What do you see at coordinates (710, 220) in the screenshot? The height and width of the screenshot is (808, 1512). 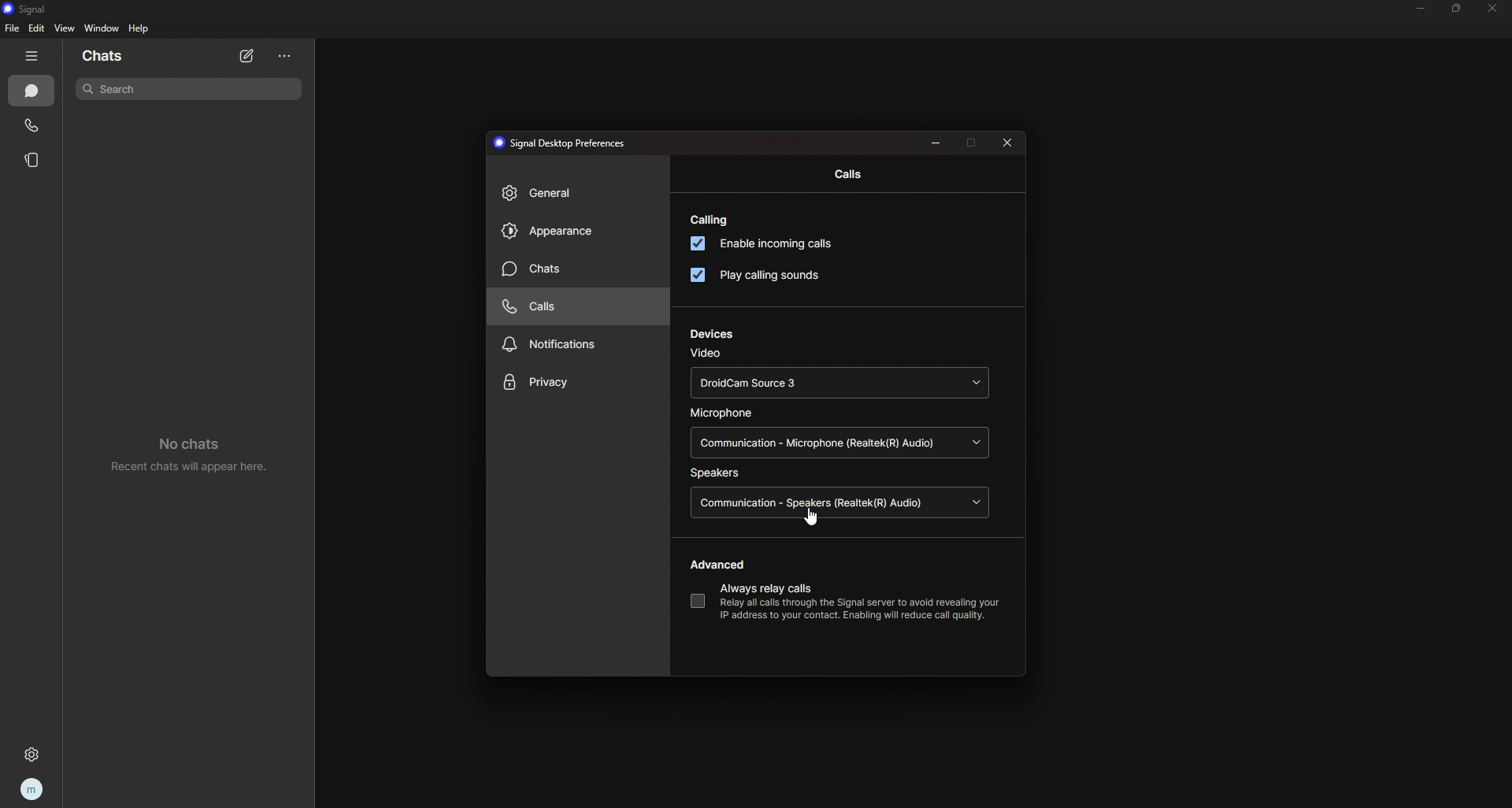 I see `calling` at bounding box center [710, 220].